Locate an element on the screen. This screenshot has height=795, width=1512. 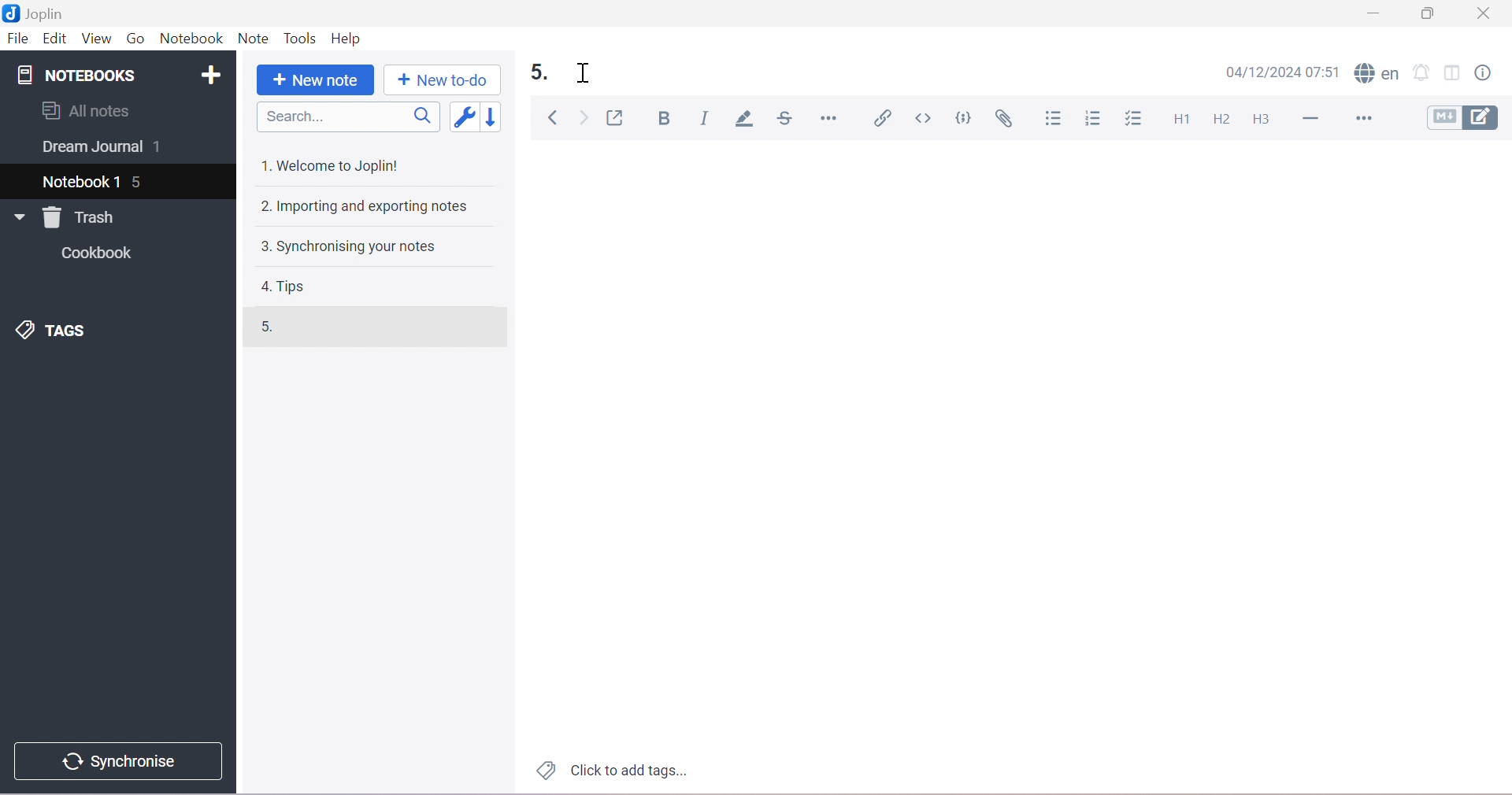
Restore Down is located at coordinates (1434, 13).